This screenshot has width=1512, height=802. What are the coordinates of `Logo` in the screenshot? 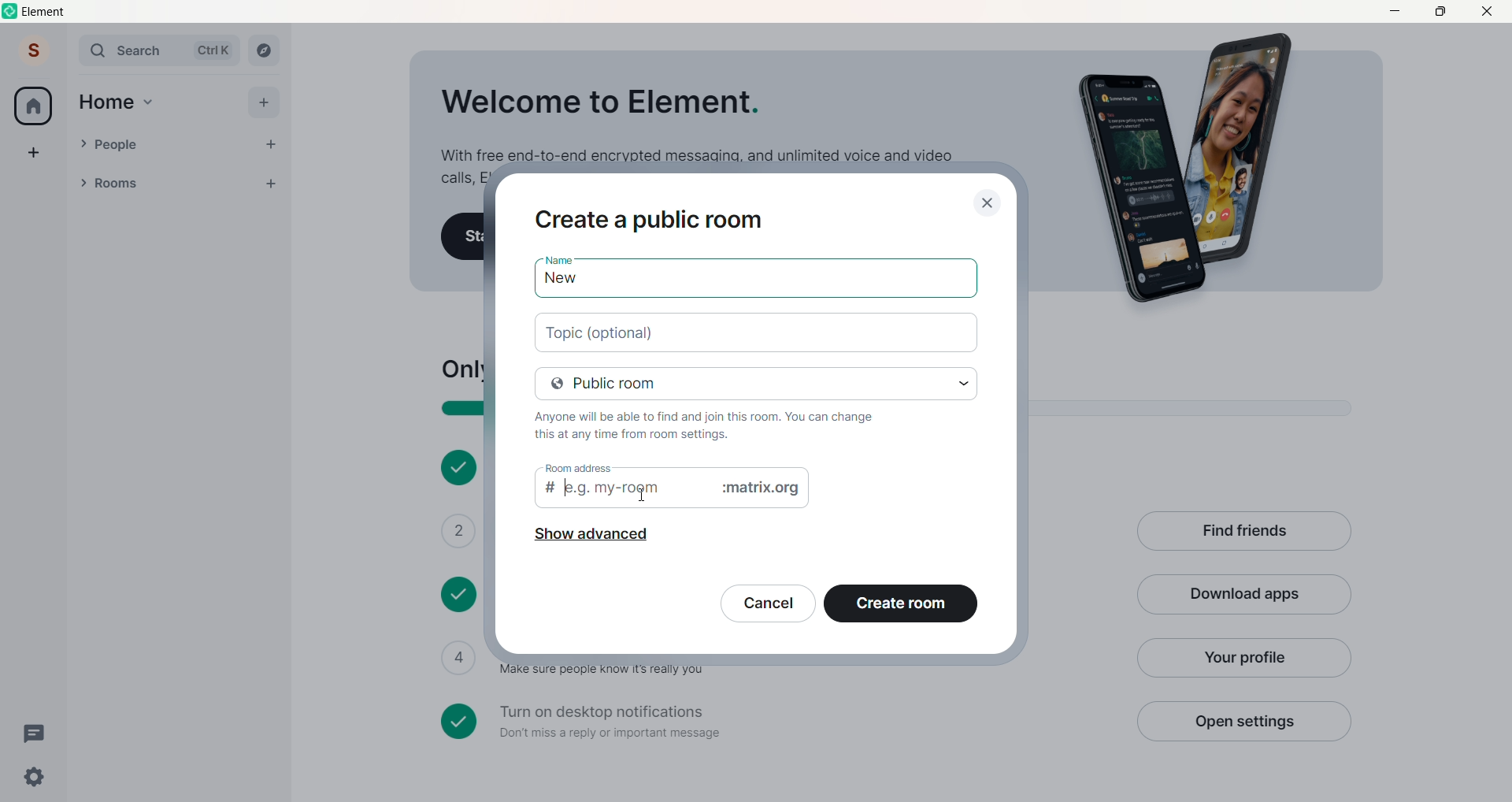 It's located at (11, 11).